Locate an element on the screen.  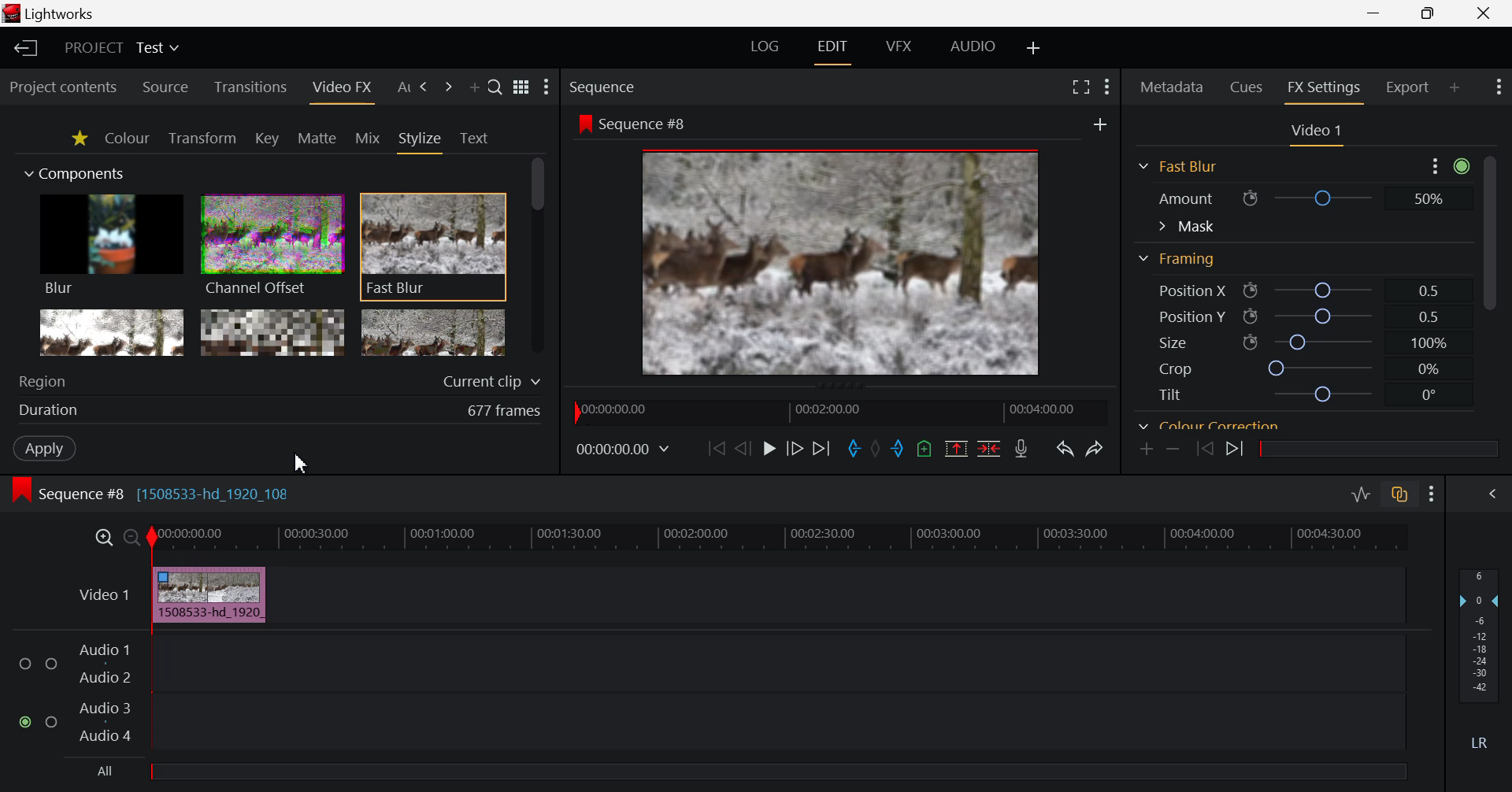
Amount is located at coordinates (1303, 198).